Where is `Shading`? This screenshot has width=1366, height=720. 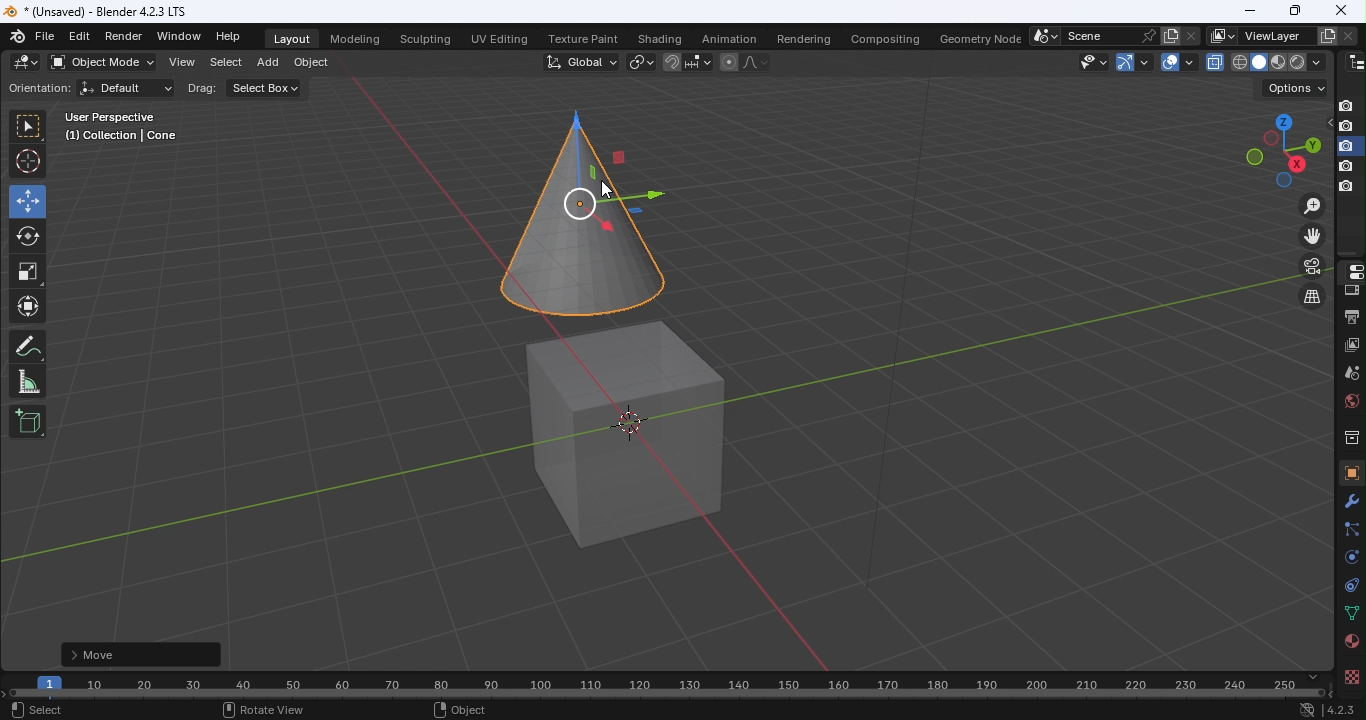
Shading is located at coordinates (659, 38).